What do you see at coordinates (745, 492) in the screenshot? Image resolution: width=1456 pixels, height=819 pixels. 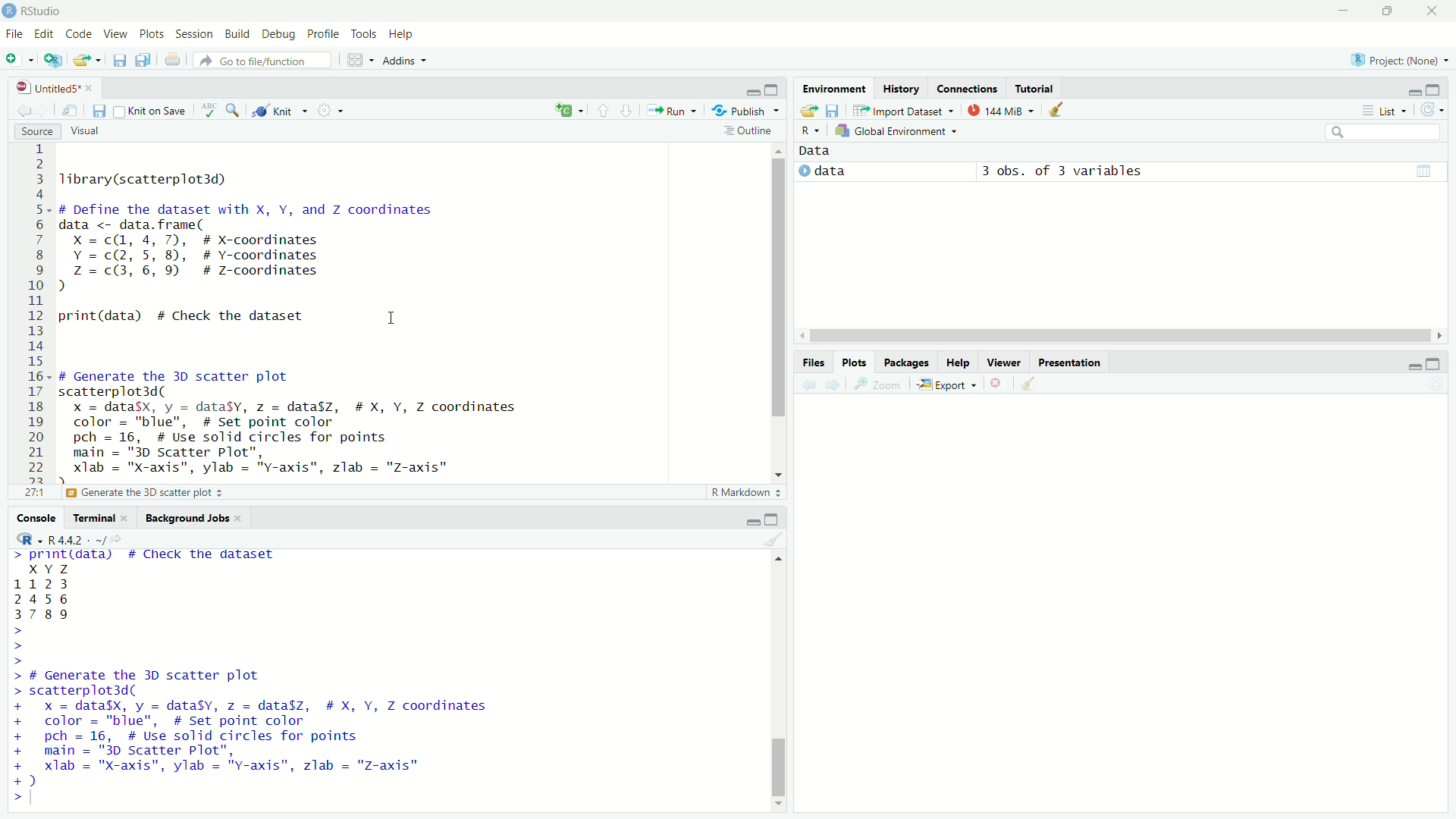 I see `R Markdown` at bounding box center [745, 492].